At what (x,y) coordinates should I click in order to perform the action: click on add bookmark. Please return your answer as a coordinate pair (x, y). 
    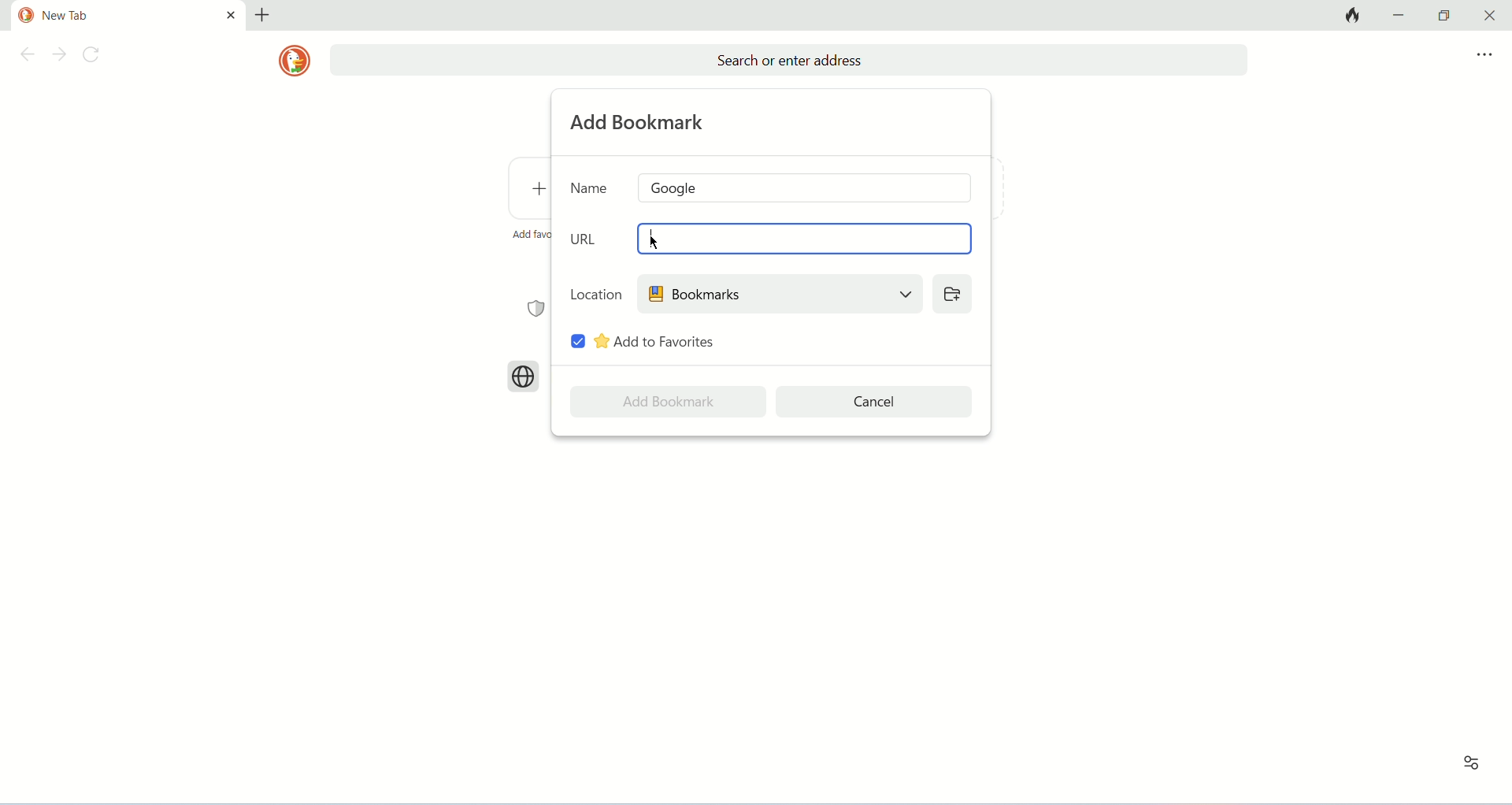
    Looking at the image, I should click on (640, 122).